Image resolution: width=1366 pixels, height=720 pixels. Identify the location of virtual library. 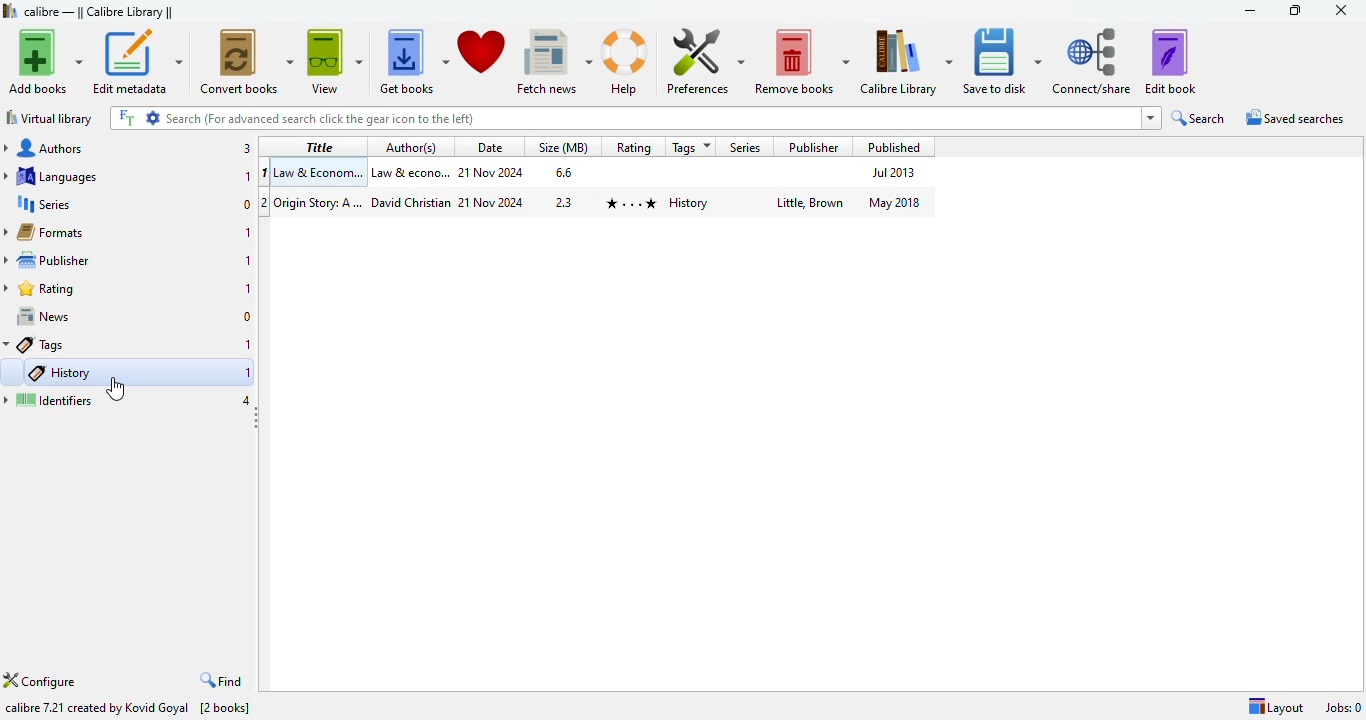
(49, 118).